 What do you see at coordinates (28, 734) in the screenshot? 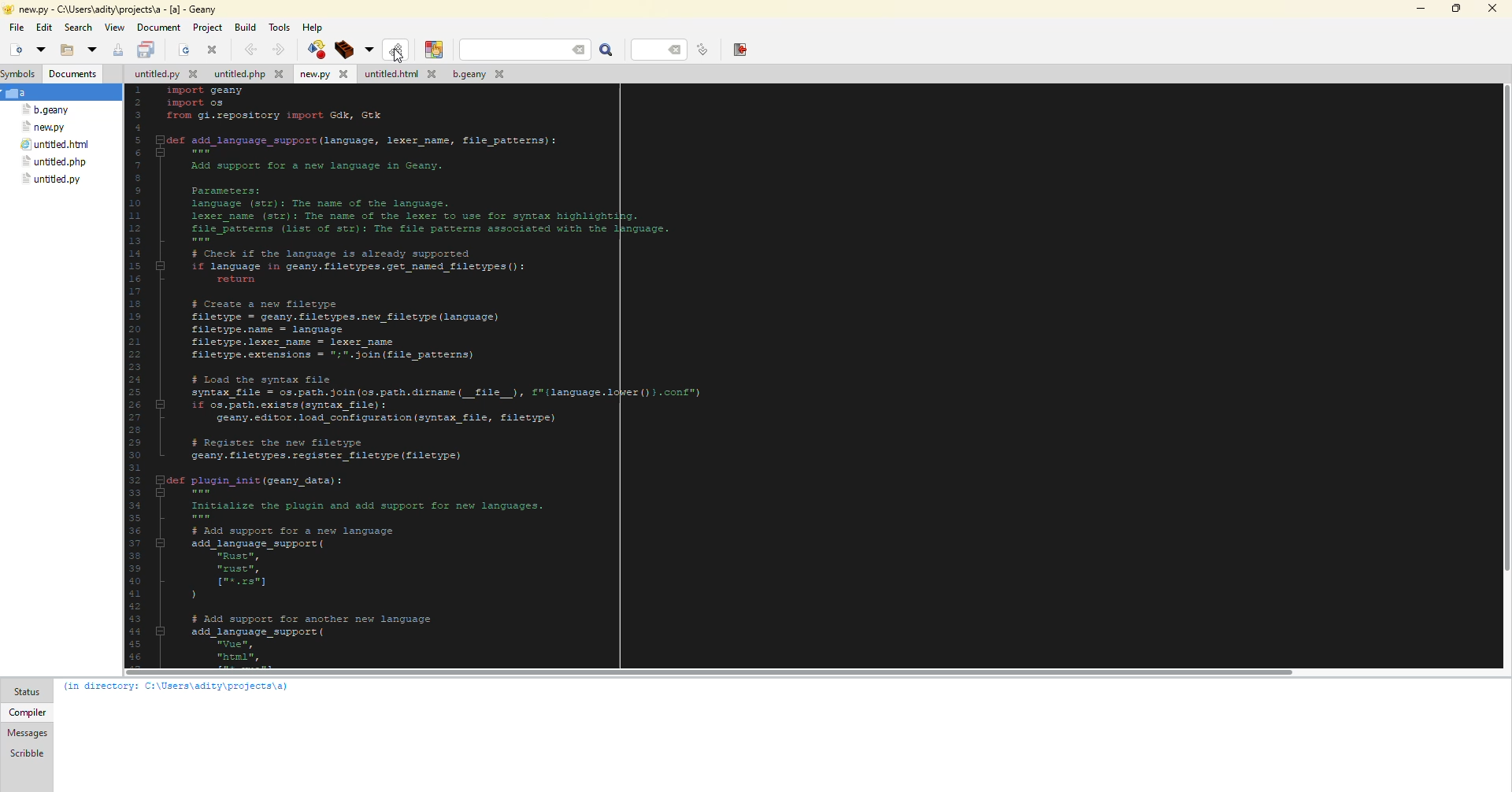
I see `messages` at bounding box center [28, 734].